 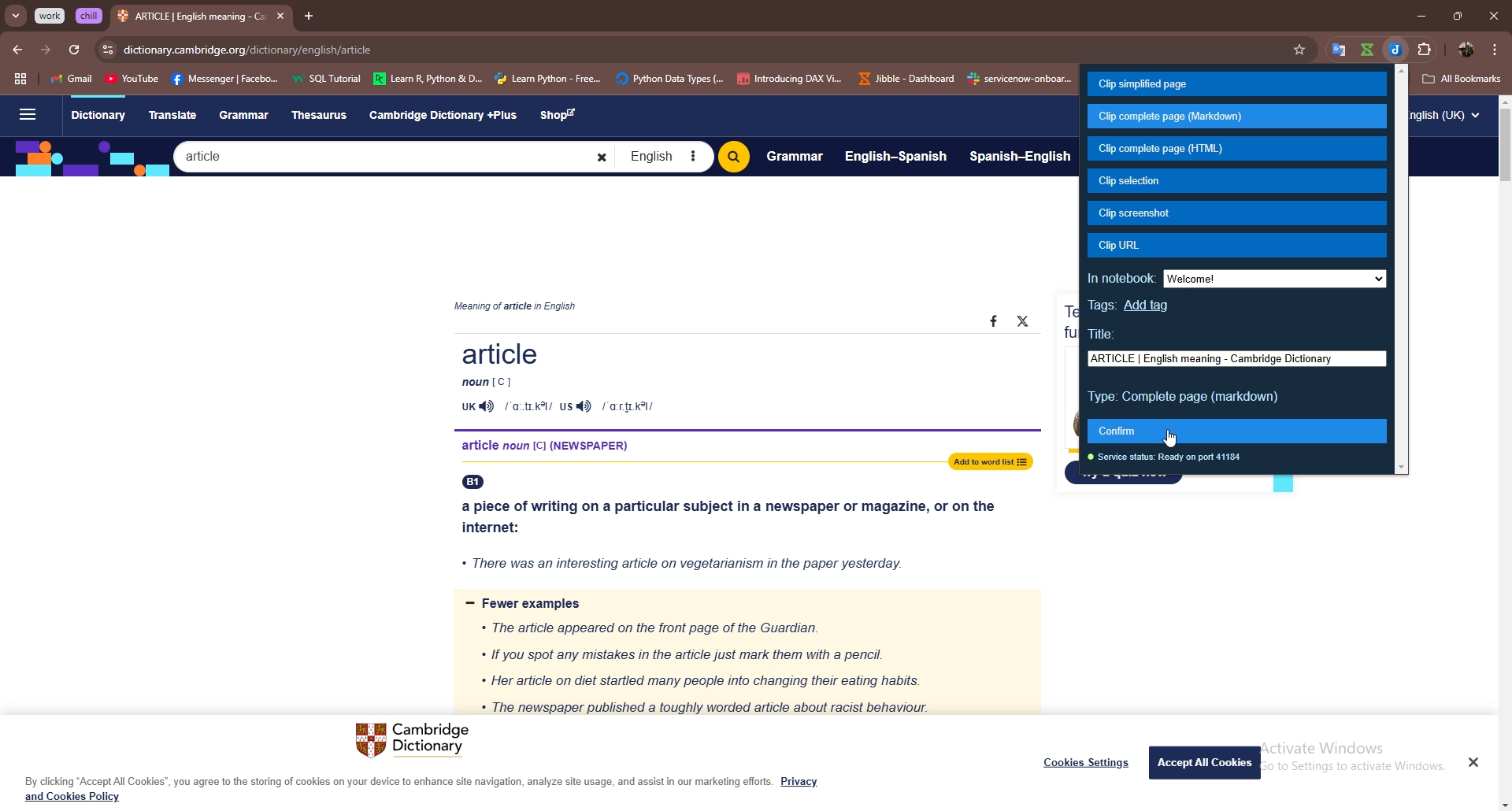 What do you see at coordinates (1238, 150) in the screenshot?
I see `clip complete page (html)` at bounding box center [1238, 150].